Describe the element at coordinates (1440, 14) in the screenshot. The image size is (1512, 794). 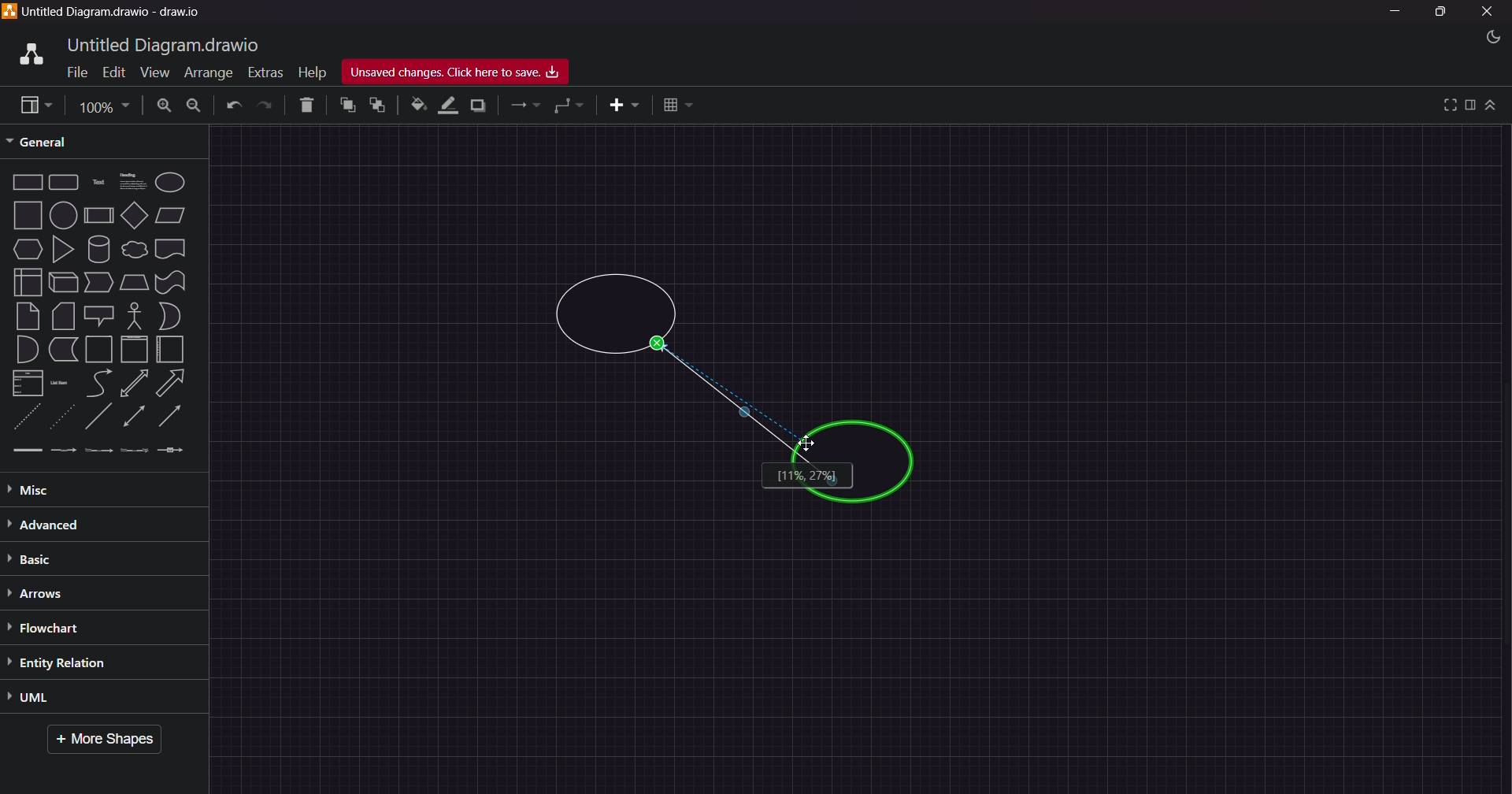
I see `Maximize` at that location.